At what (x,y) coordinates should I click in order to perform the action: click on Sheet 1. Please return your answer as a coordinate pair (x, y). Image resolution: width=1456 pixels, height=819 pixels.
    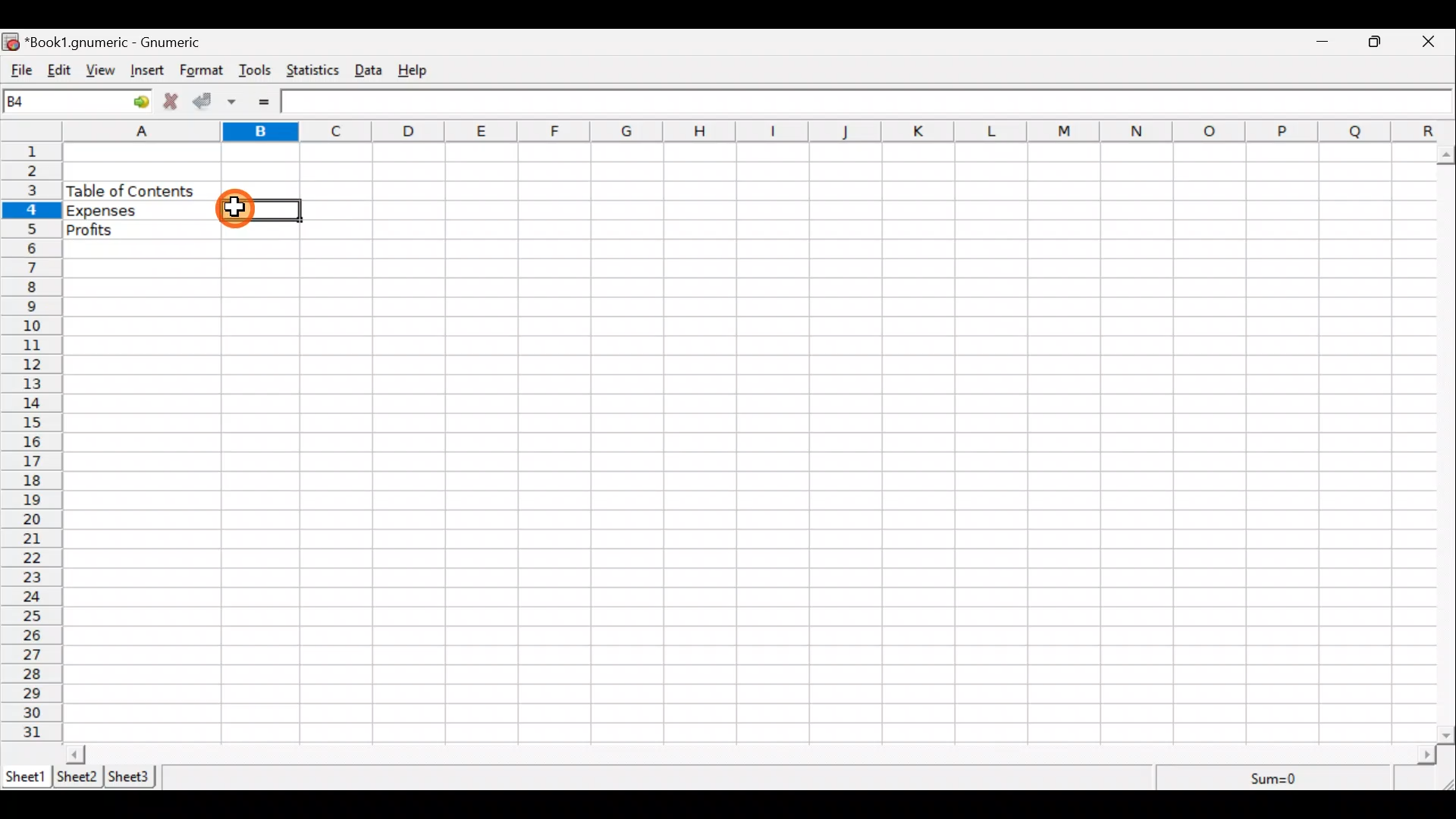
    Looking at the image, I should click on (26, 775).